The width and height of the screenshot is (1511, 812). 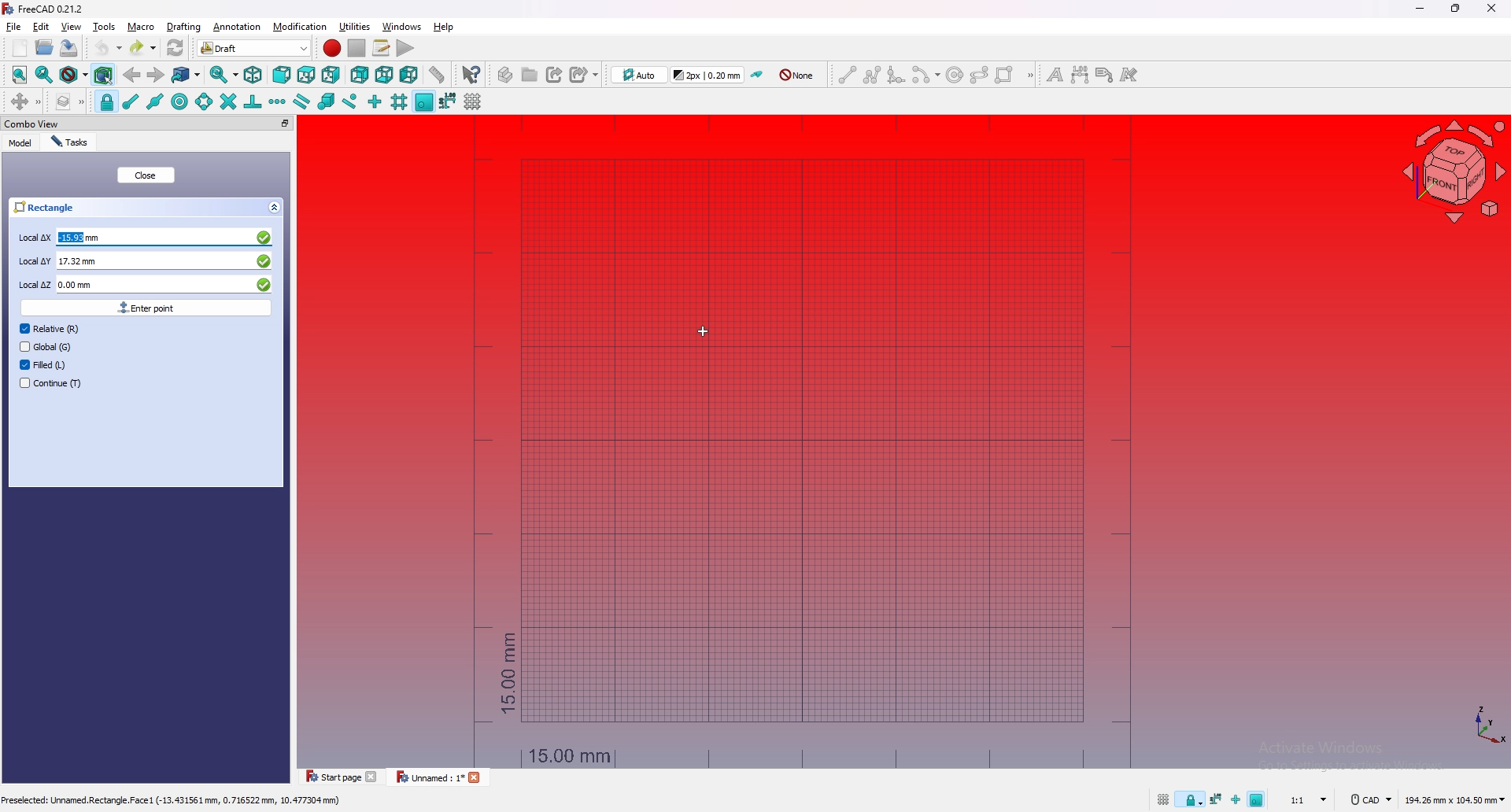 What do you see at coordinates (925, 75) in the screenshot?
I see `arc tools` at bounding box center [925, 75].